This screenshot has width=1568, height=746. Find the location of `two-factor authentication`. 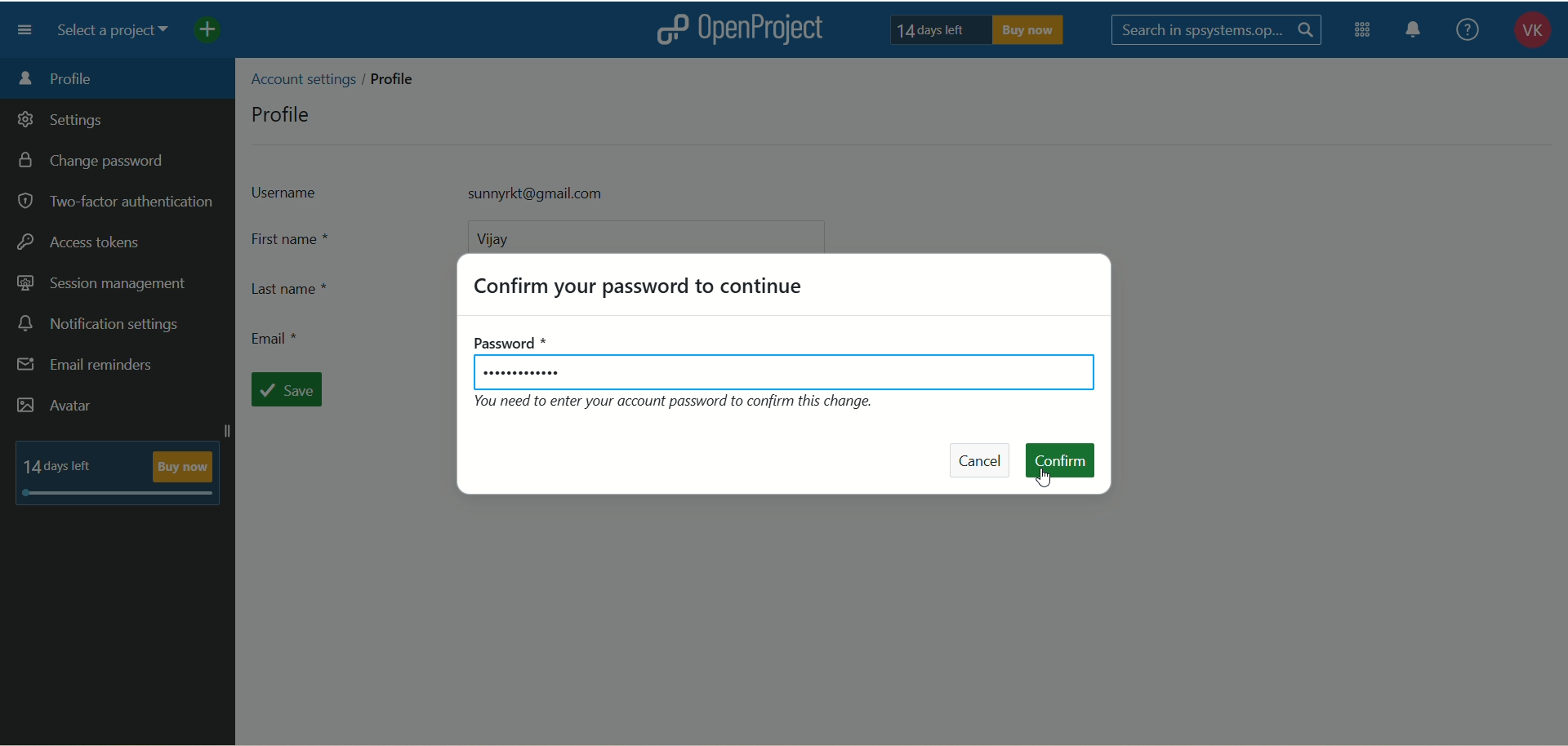

two-factor authentication is located at coordinates (114, 202).